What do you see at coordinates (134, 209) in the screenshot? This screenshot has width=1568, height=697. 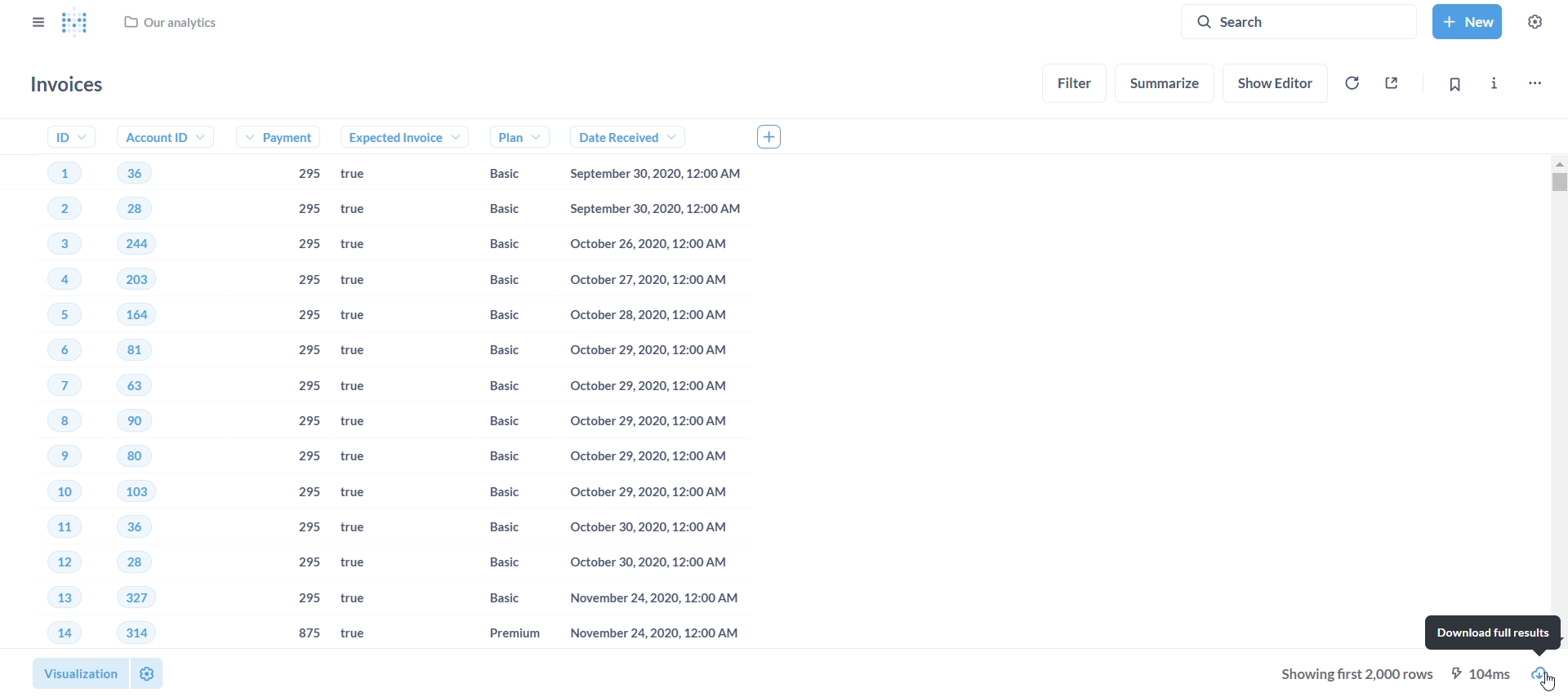 I see `28` at bounding box center [134, 209].